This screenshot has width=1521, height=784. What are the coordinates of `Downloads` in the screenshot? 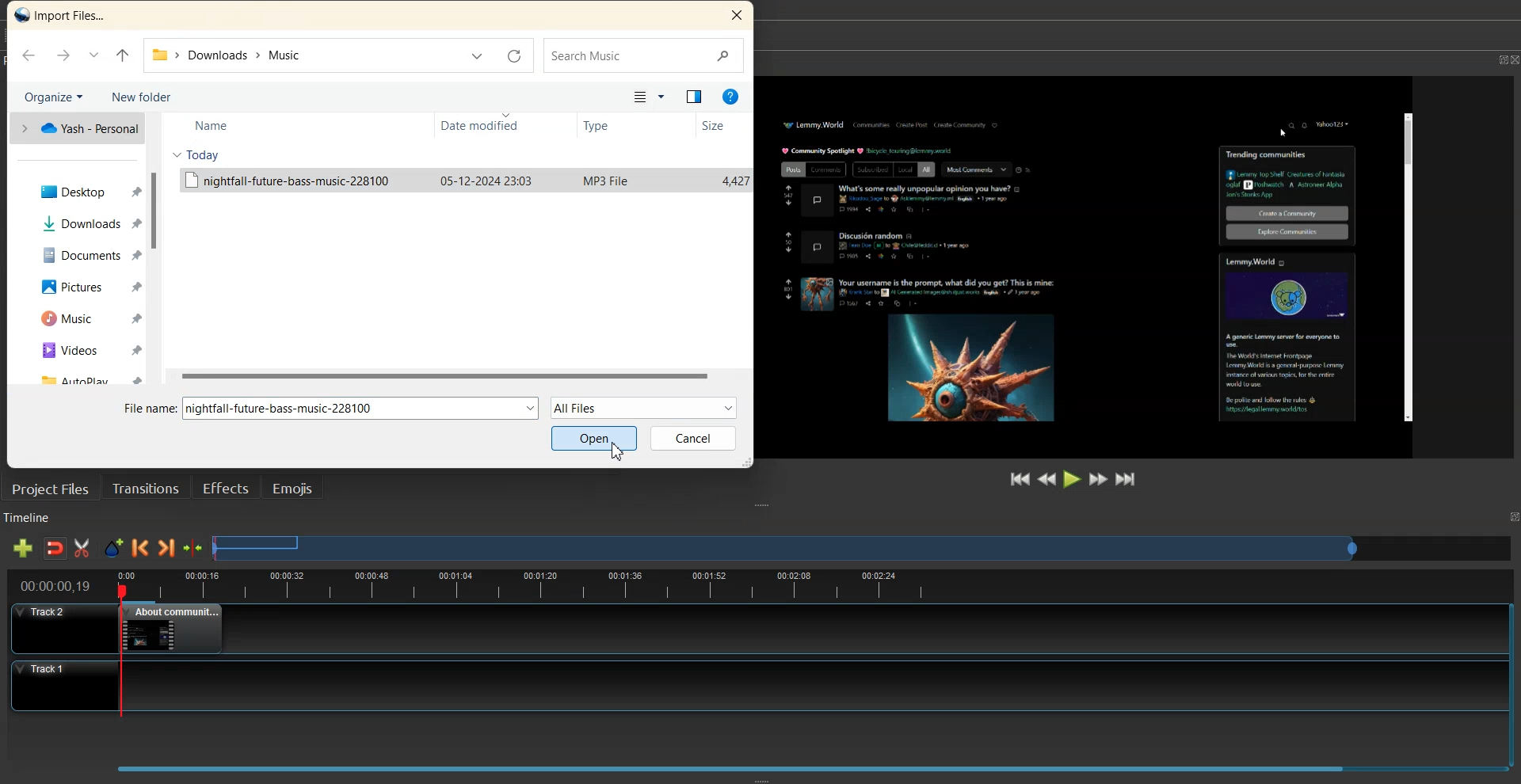 It's located at (75, 223).